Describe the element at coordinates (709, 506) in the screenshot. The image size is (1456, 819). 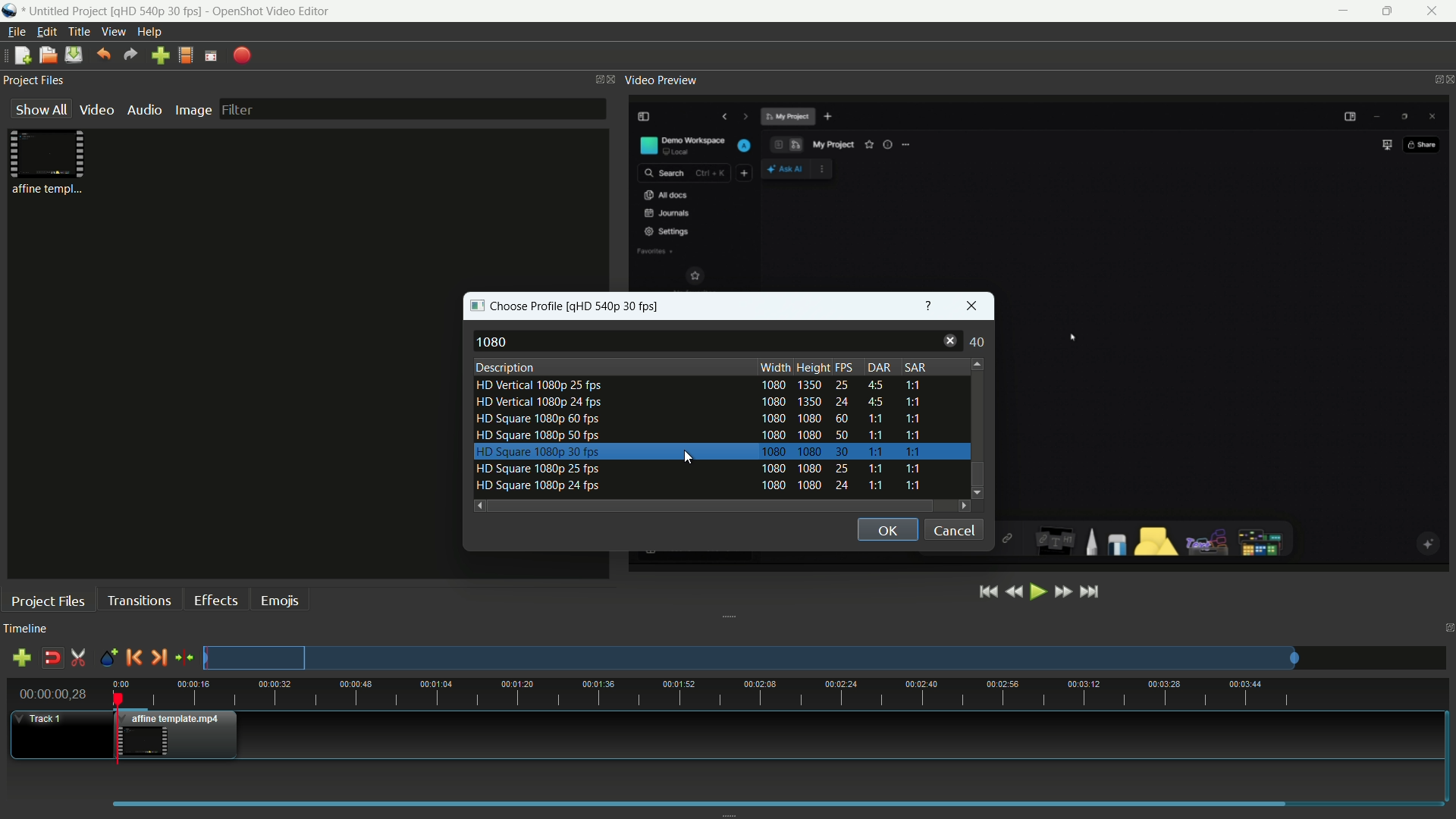
I see `scroll bar` at that location.